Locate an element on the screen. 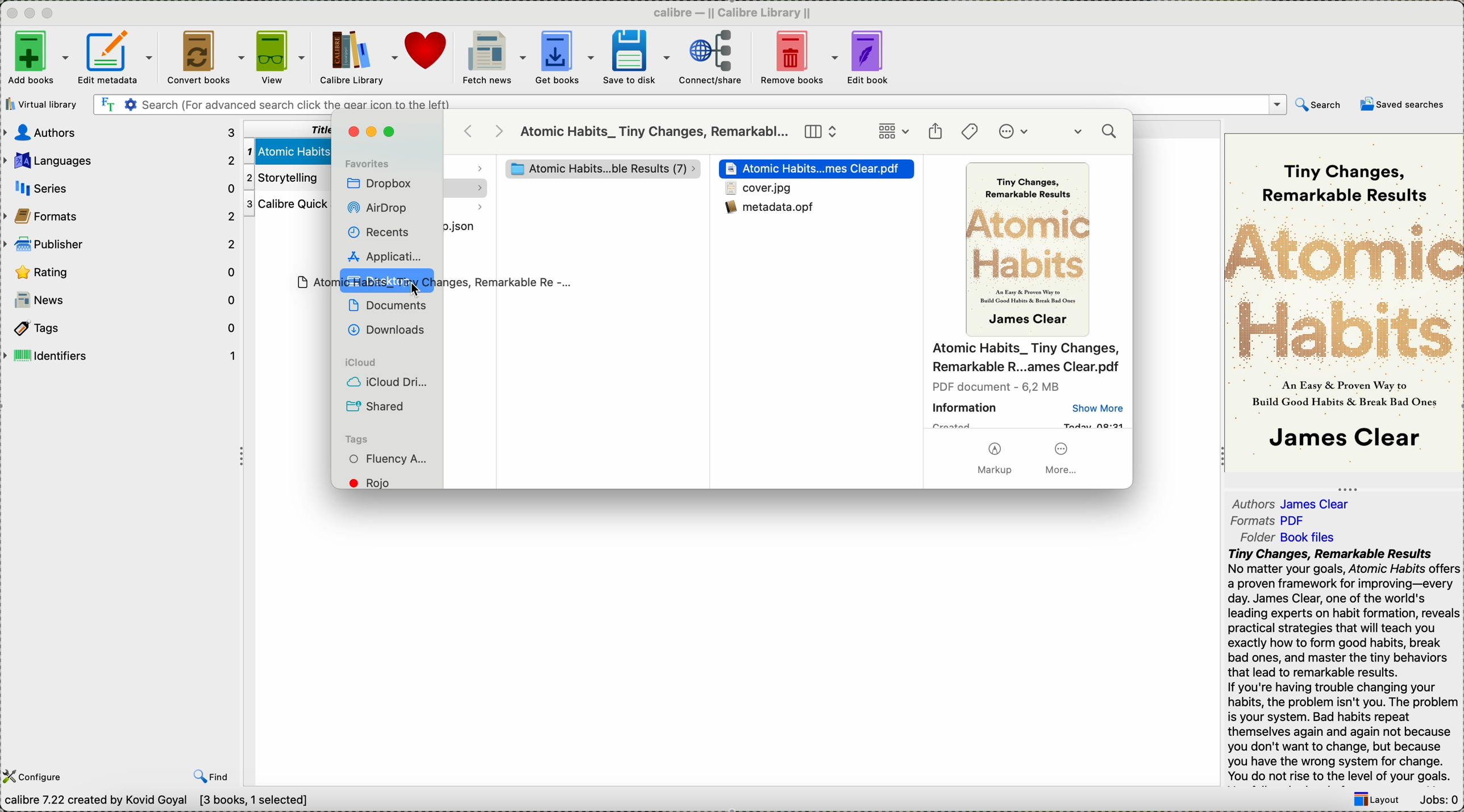  get books is located at coordinates (564, 59).